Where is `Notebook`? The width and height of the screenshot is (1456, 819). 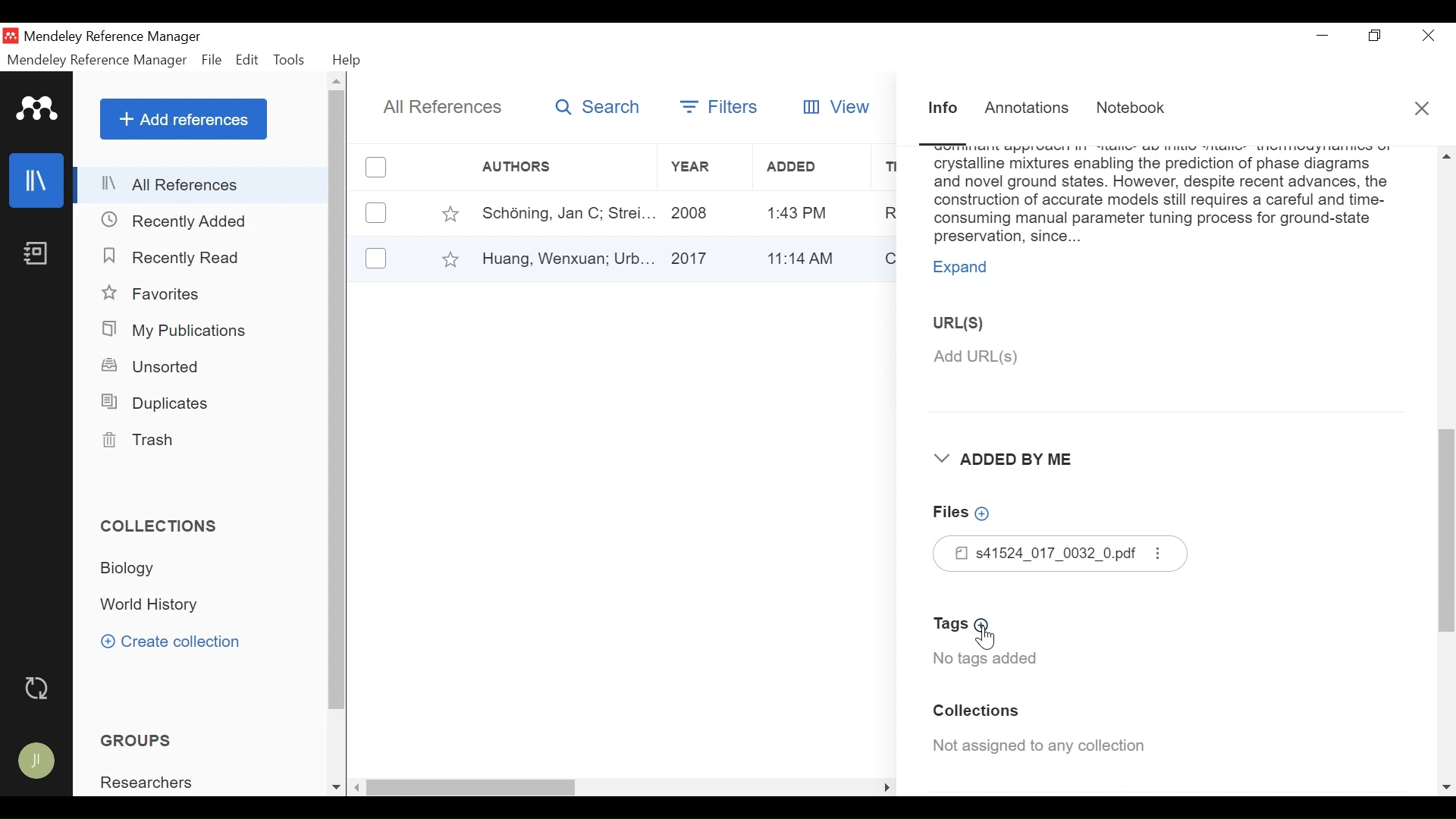
Notebook is located at coordinates (1134, 108).